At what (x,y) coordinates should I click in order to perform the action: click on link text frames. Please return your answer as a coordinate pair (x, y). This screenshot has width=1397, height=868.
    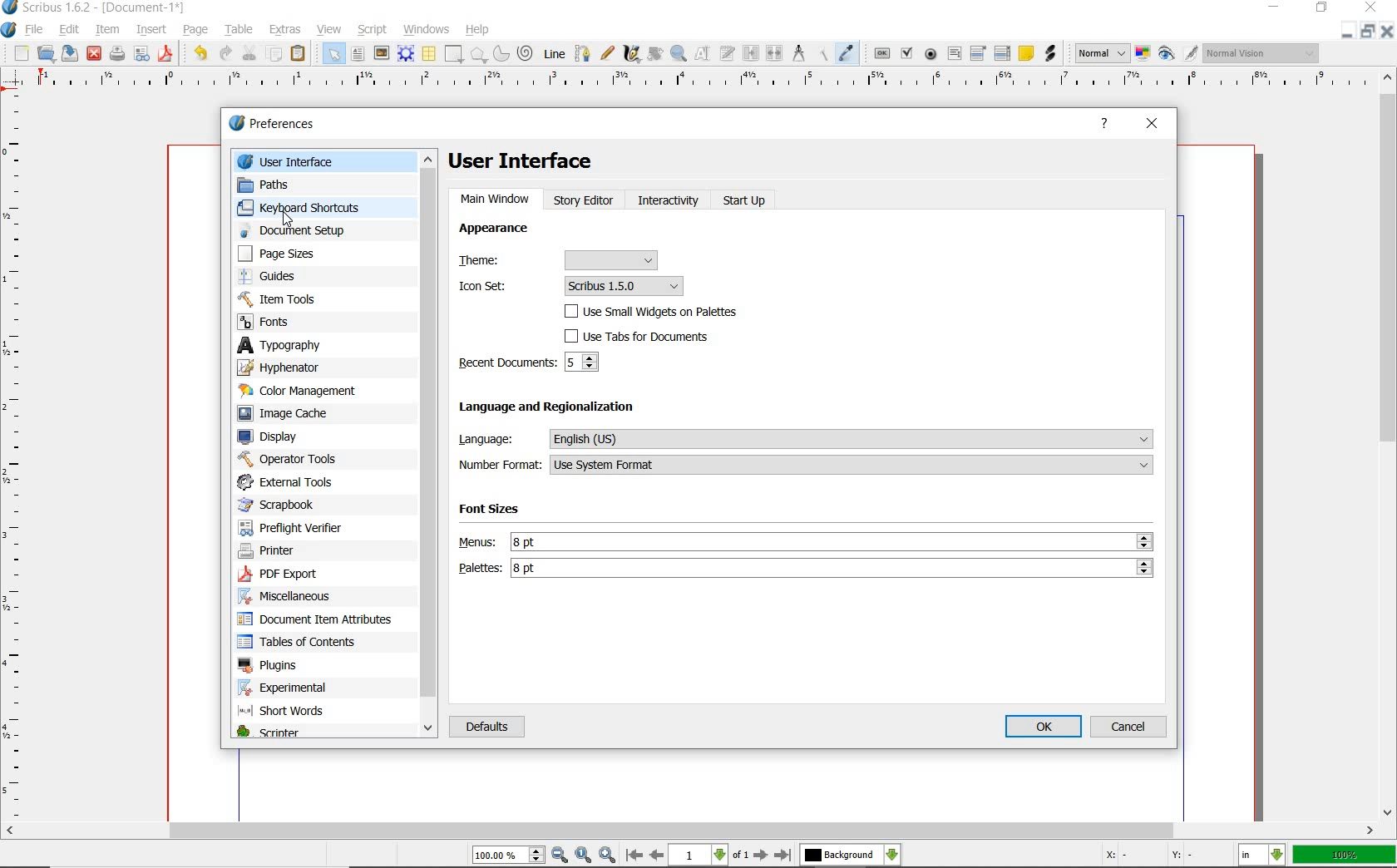
    Looking at the image, I should click on (753, 53).